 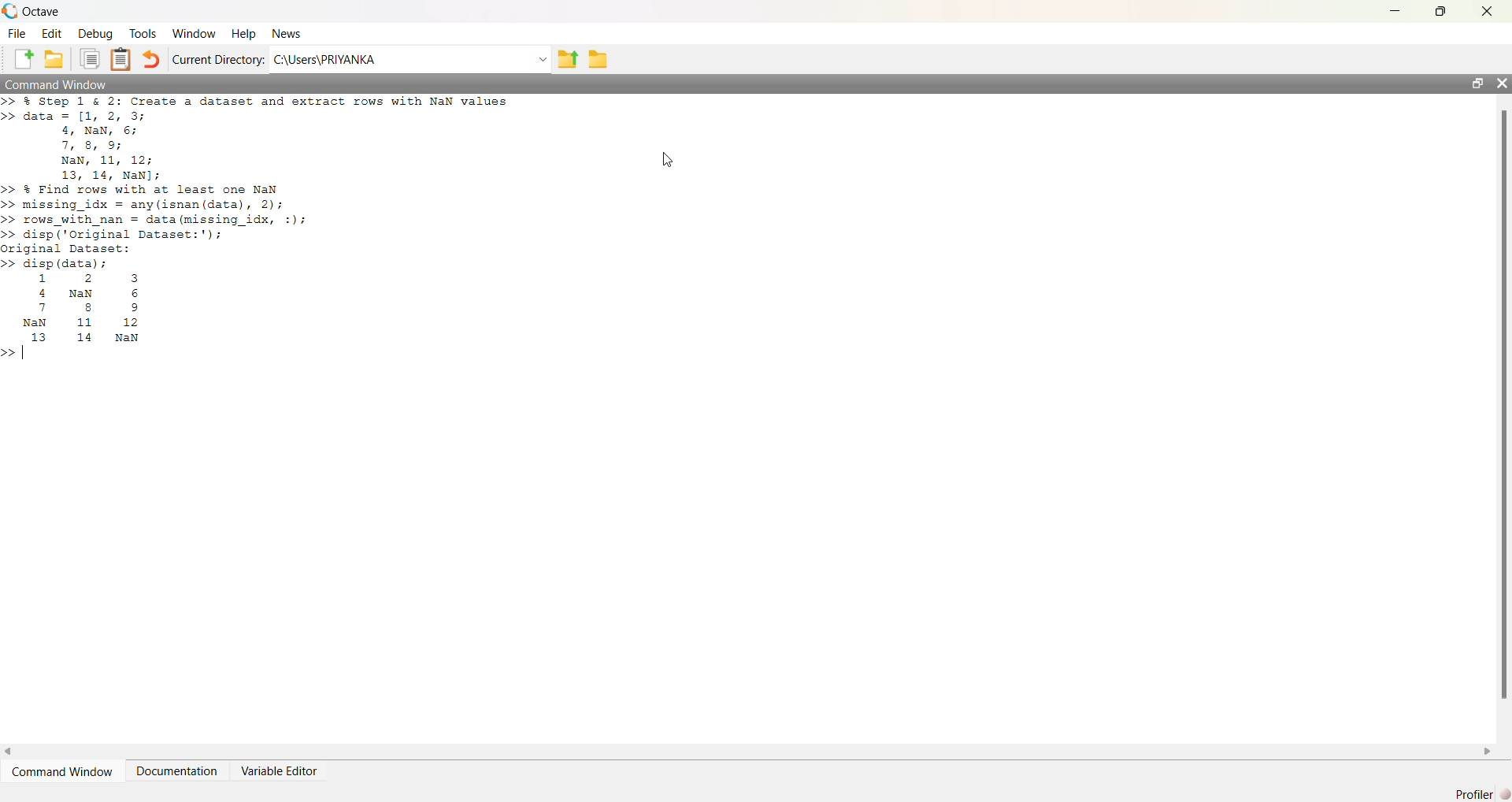 I want to click on close, so click(x=1501, y=83).